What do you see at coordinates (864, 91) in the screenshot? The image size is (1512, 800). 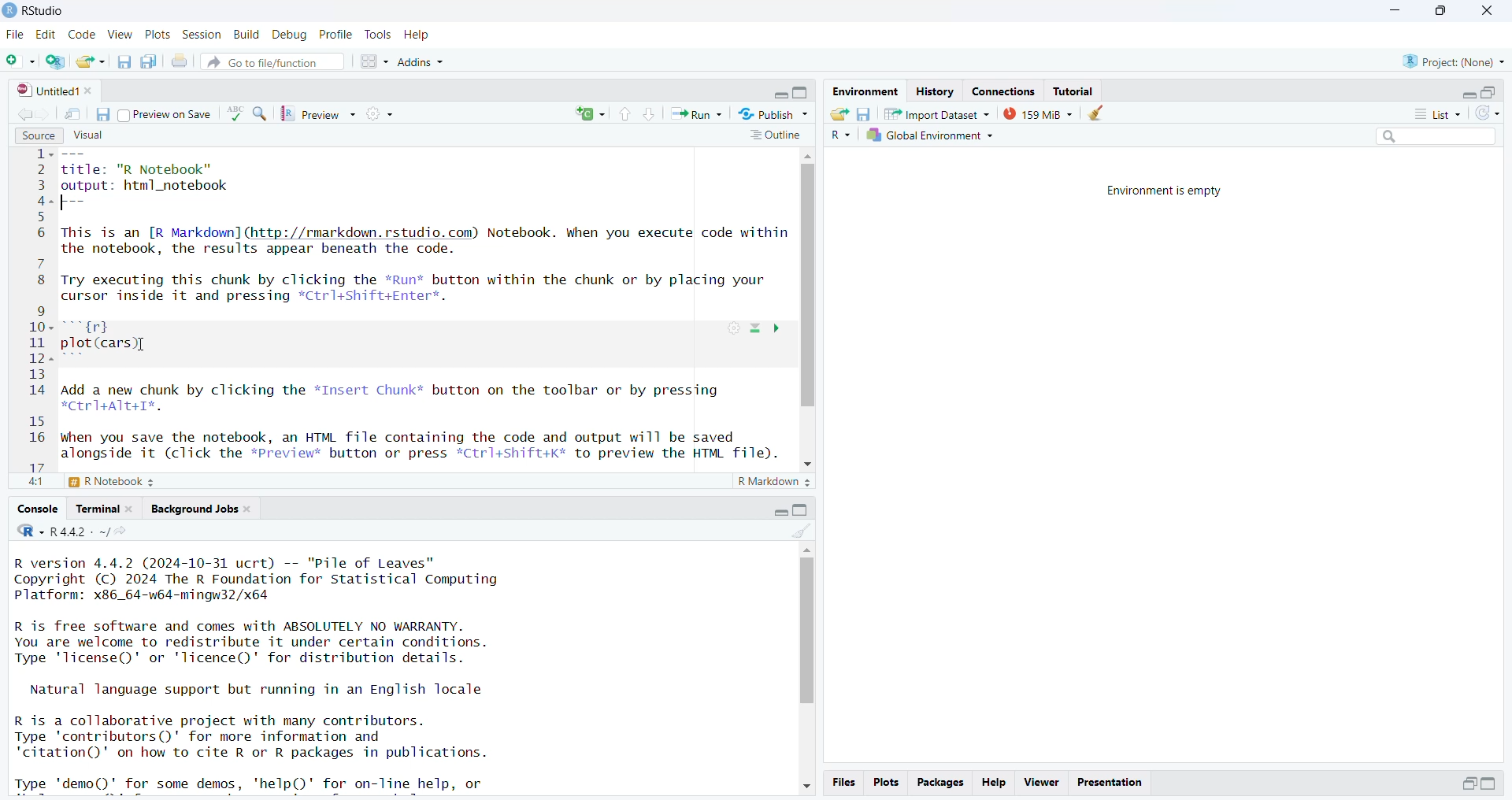 I see `environment` at bounding box center [864, 91].